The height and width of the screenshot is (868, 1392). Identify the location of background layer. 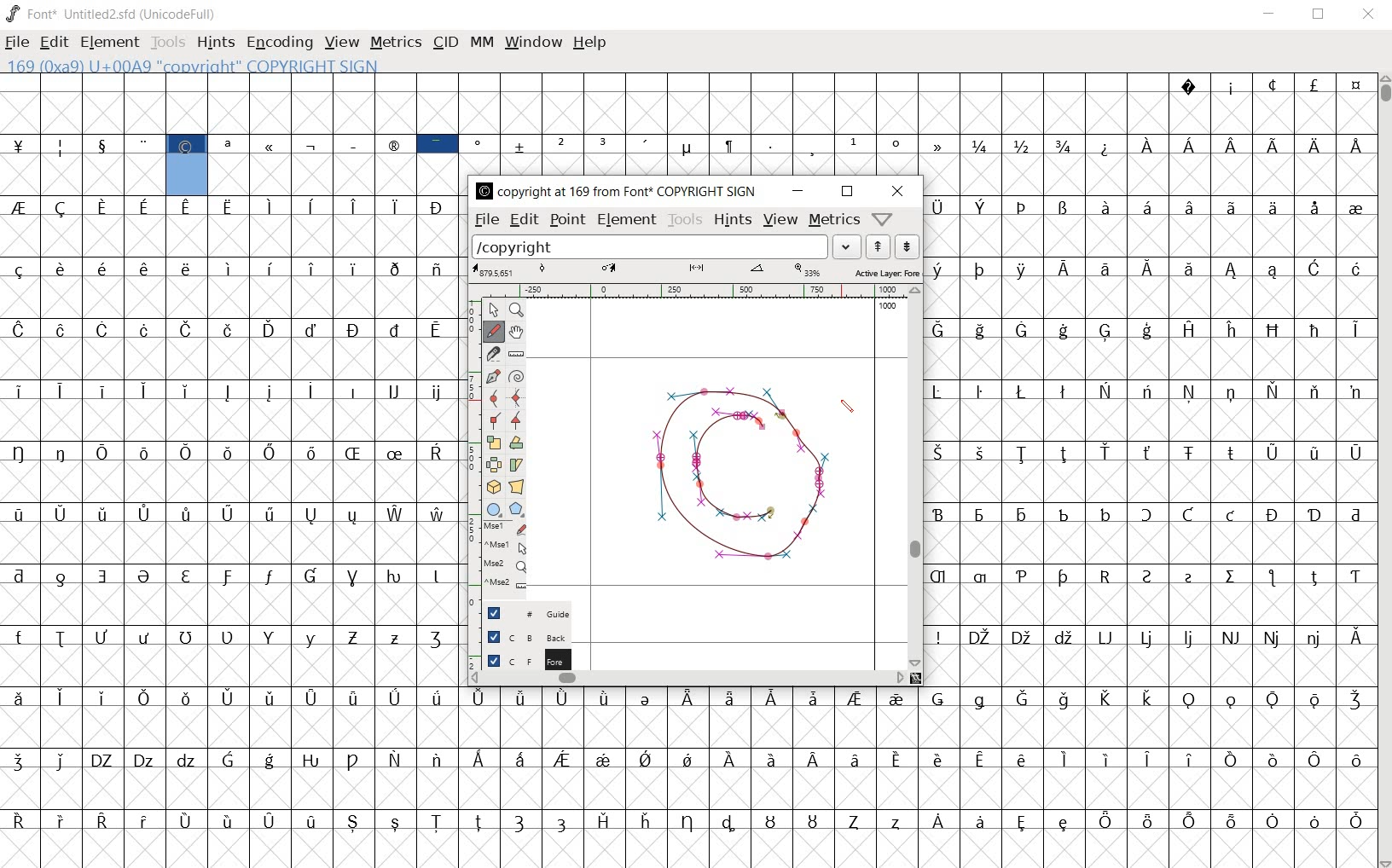
(519, 637).